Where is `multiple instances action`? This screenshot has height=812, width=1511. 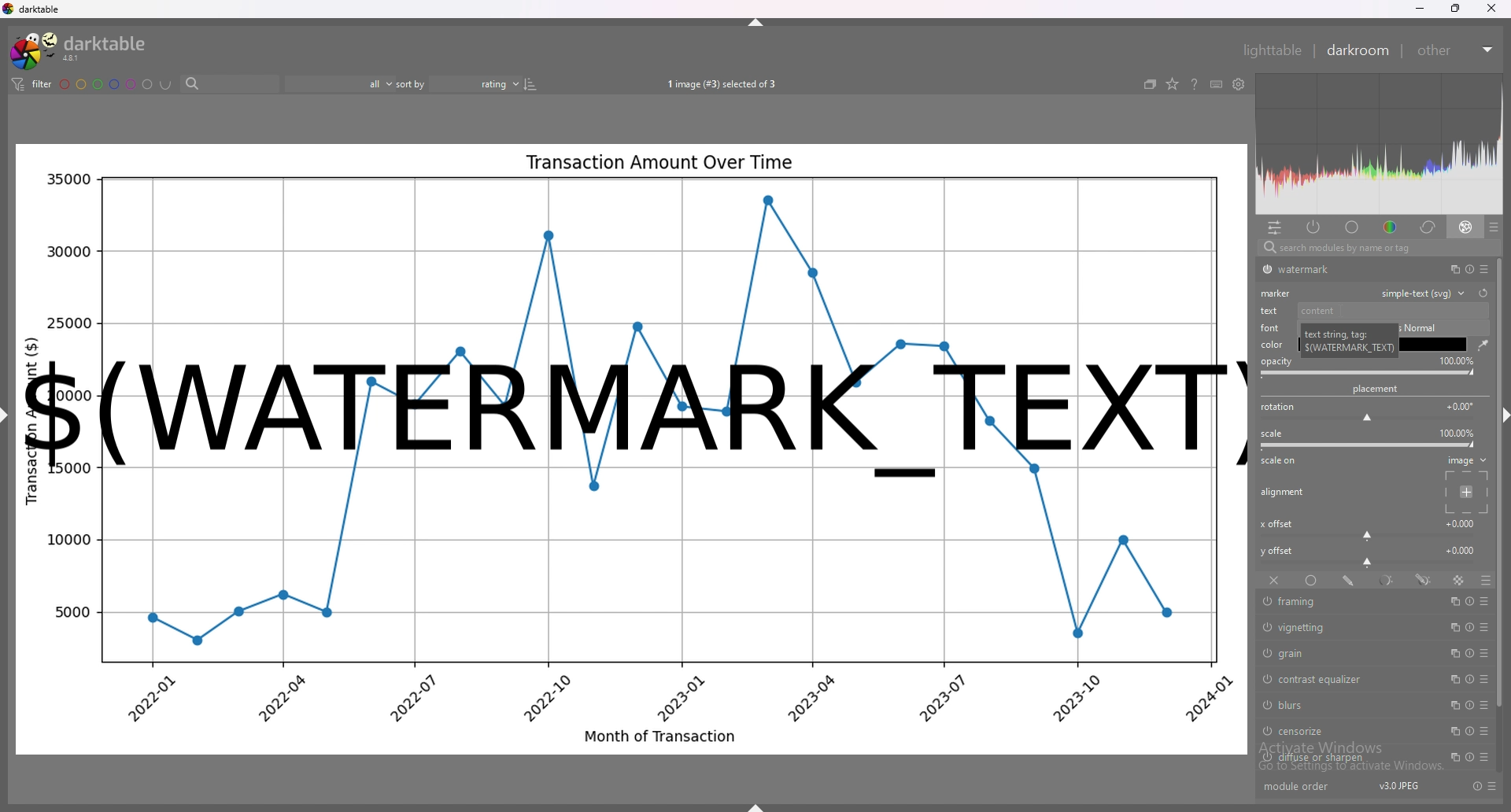 multiple instances action is located at coordinates (1450, 731).